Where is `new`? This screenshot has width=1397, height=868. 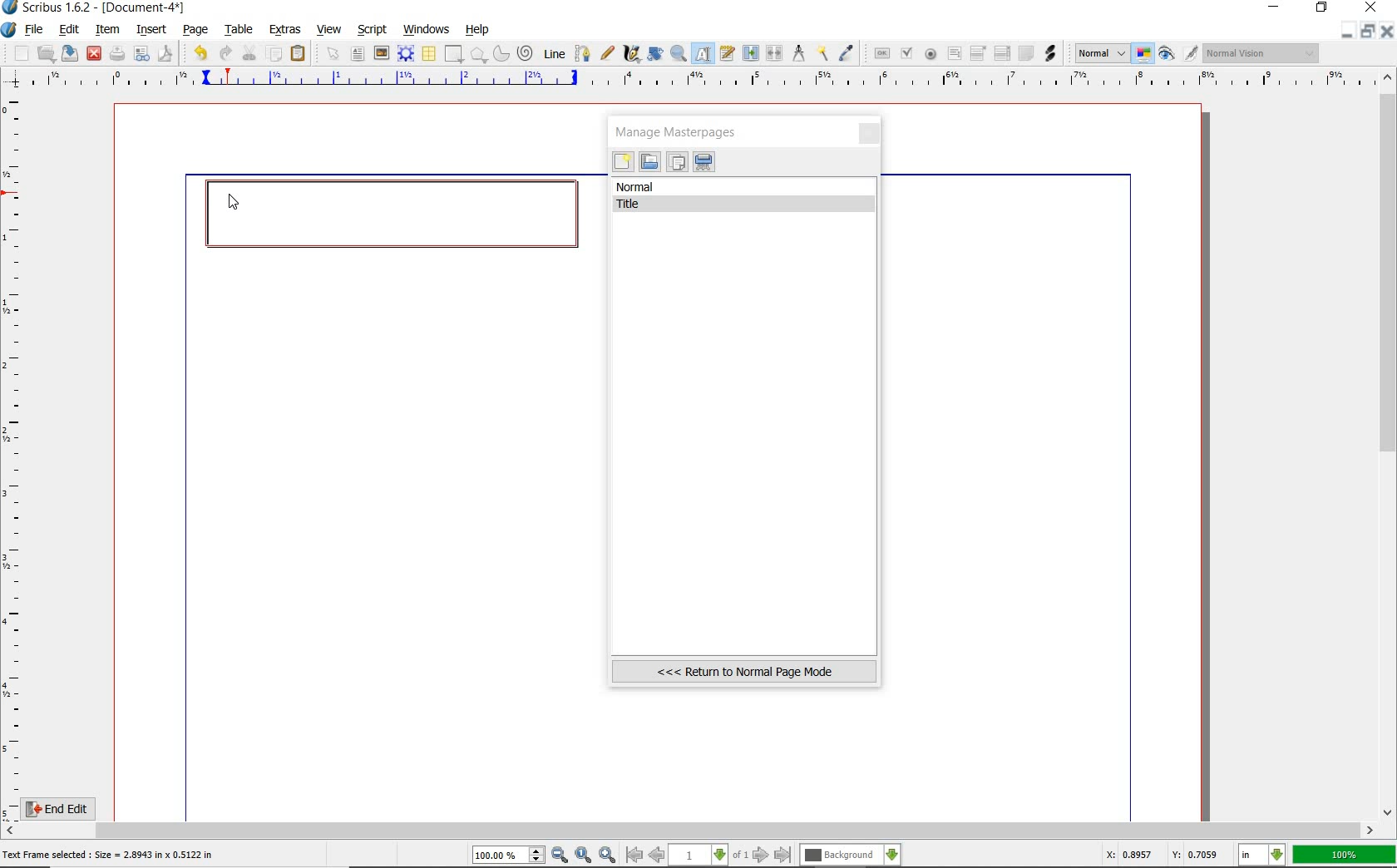 new is located at coordinates (16, 53).